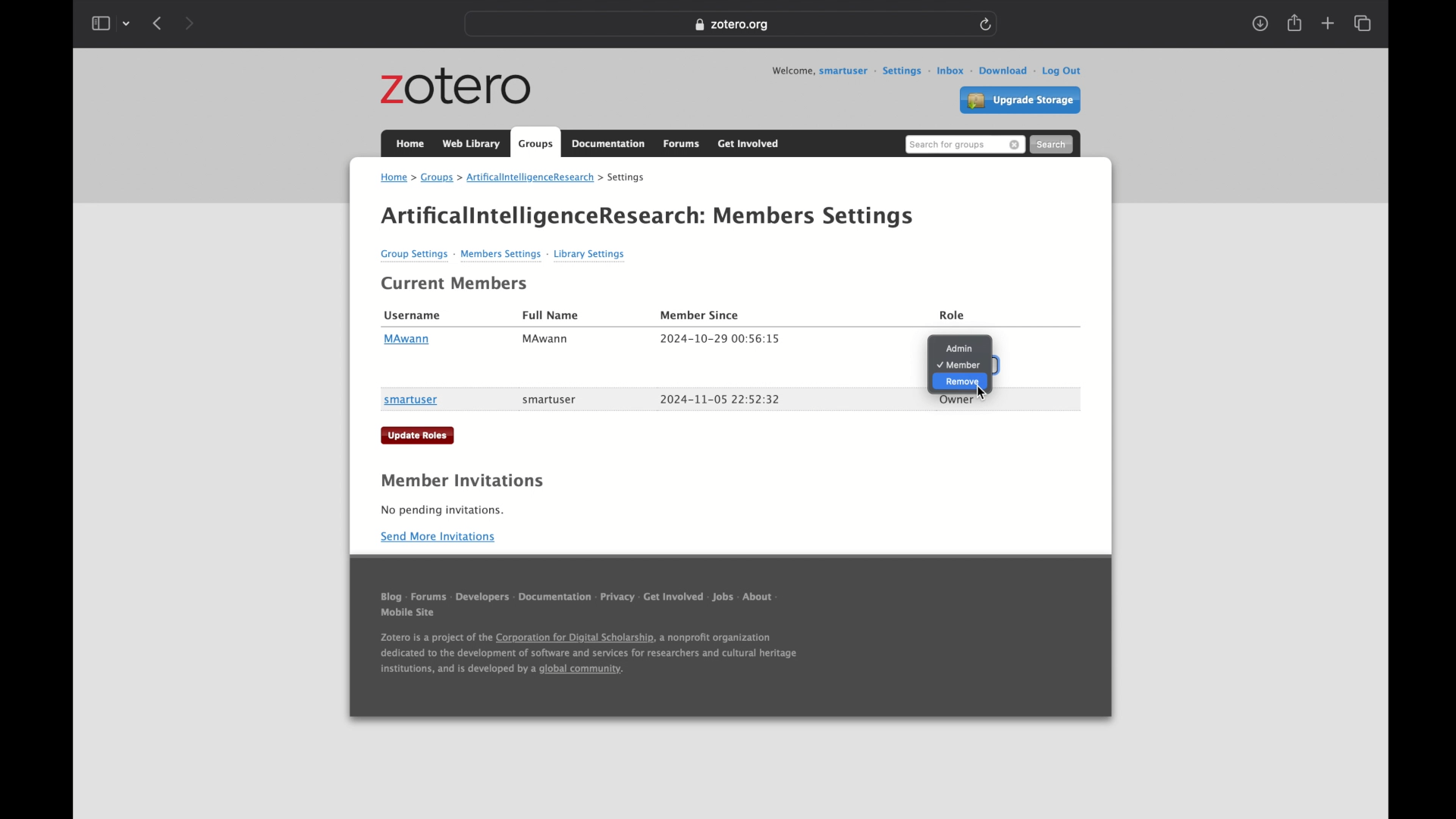 The height and width of the screenshot is (819, 1456). I want to click on mobile sit, so click(409, 617).